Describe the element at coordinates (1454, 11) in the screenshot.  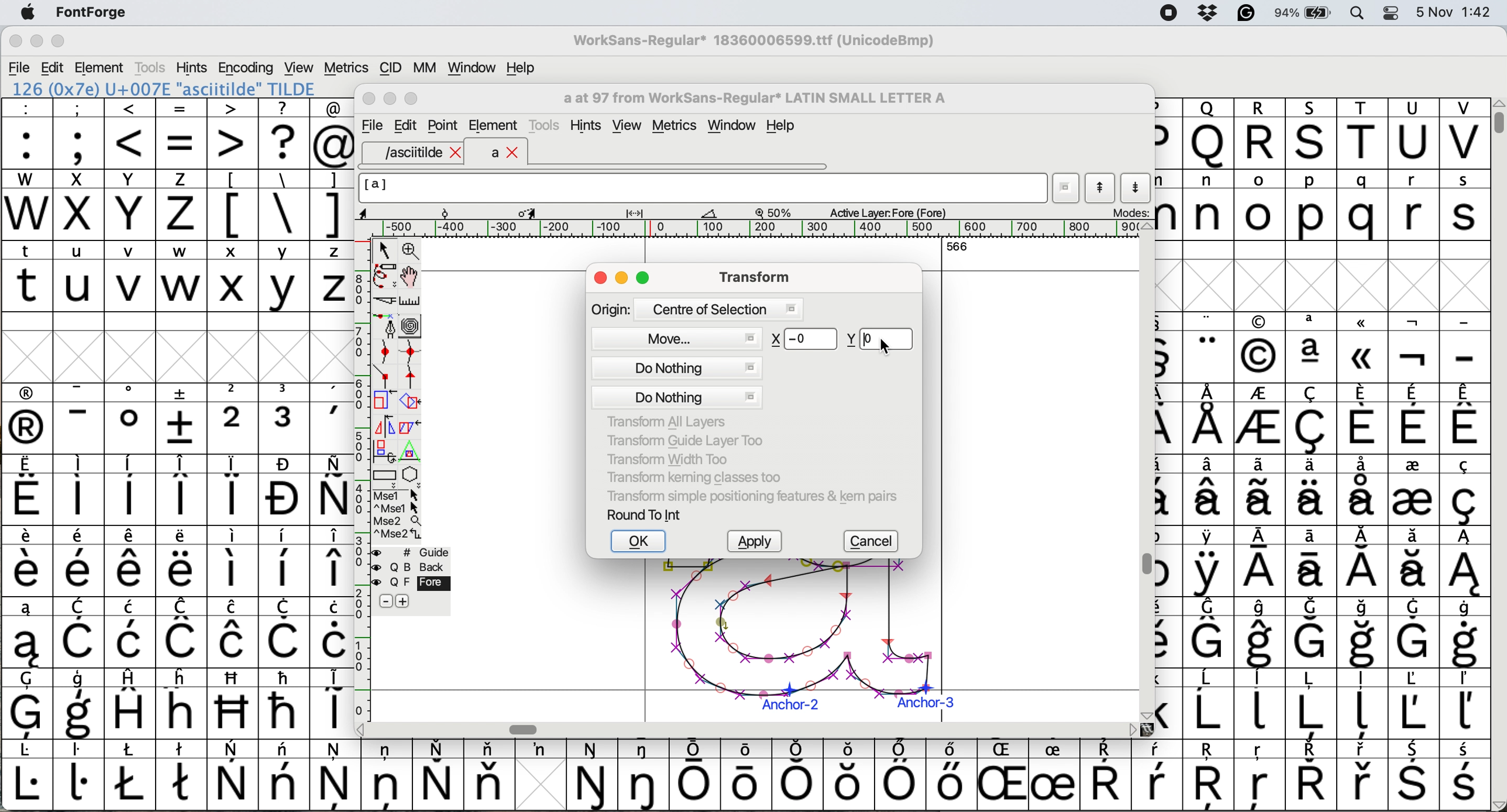
I see `date and time` at that location.